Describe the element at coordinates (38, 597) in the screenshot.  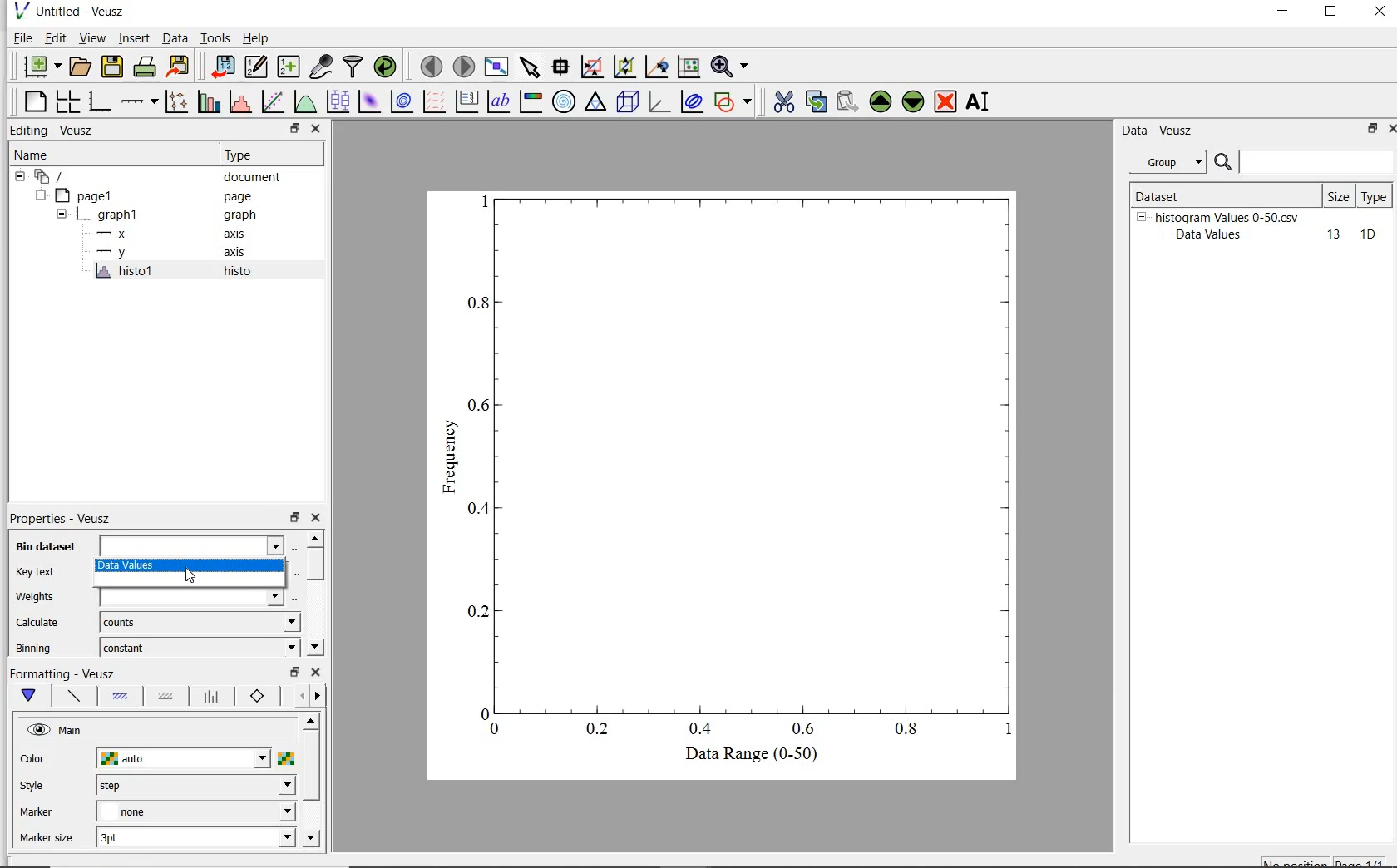
I see `Weights` at that location.